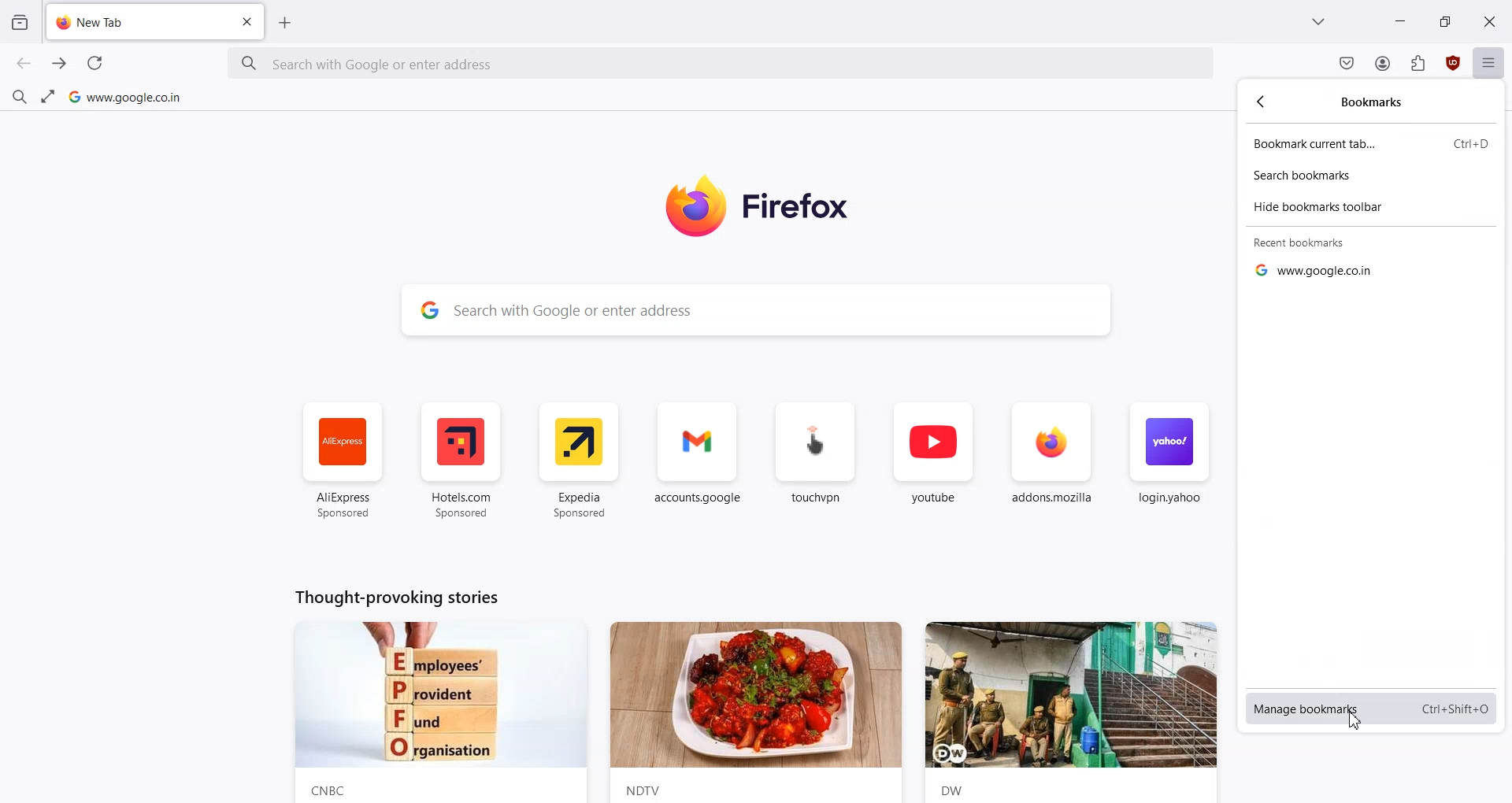  What do you see at coordinates (48, 95) in the screenshot?
I see `Fullscreen` at bounding box center [48, 95].